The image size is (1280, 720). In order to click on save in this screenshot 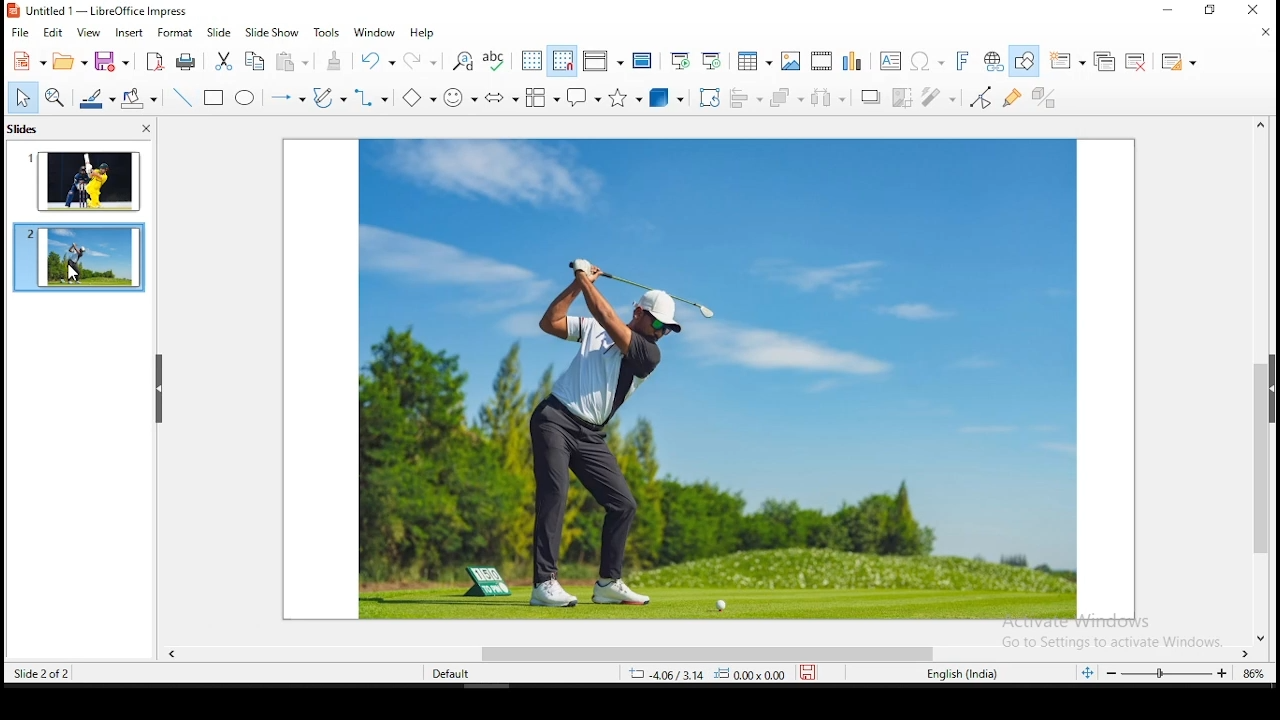, I will do `click(113, 63)`.